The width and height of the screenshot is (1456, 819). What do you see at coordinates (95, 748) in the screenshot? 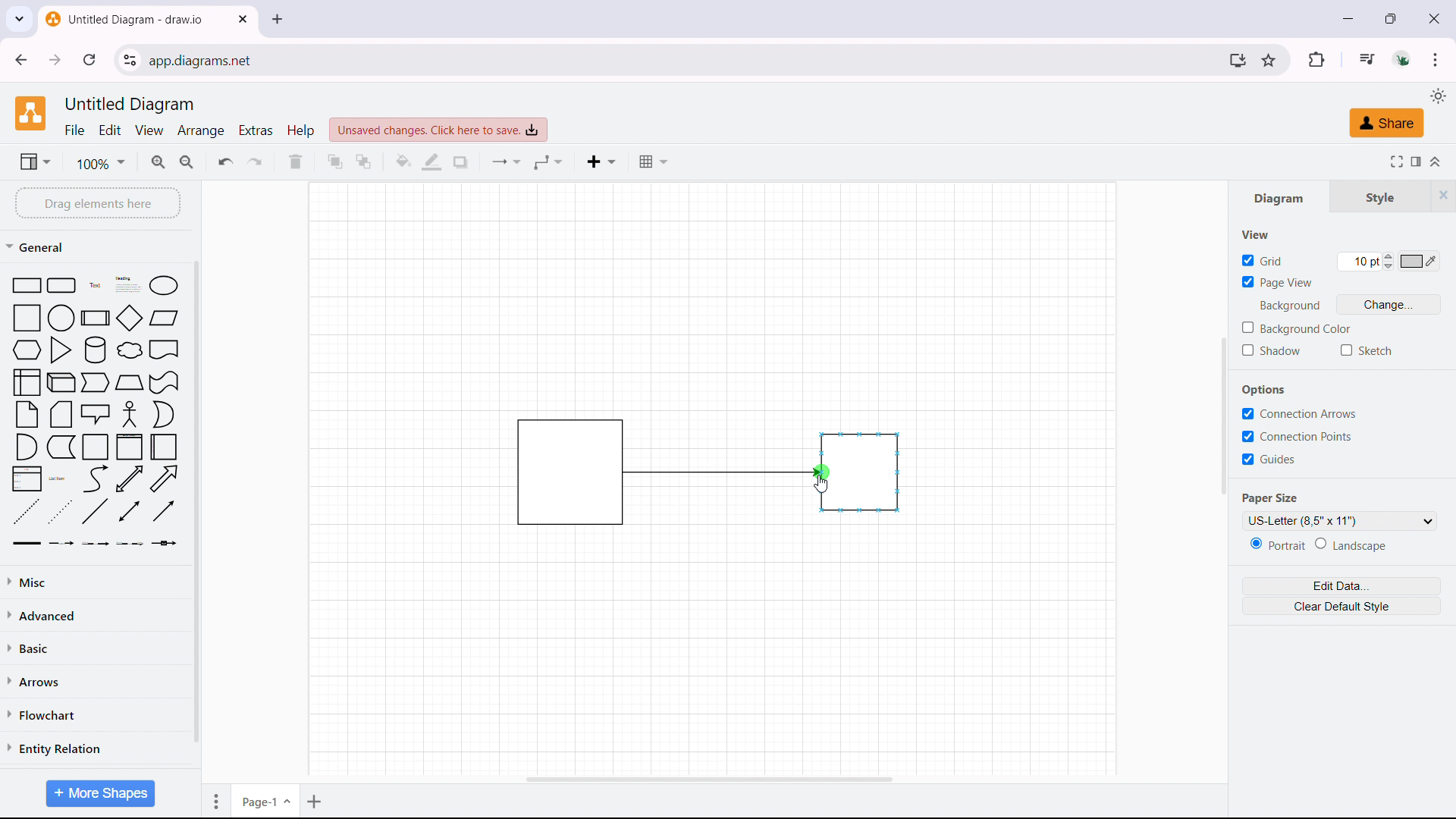
I see `entity relation` at bounding box center [95, 748].